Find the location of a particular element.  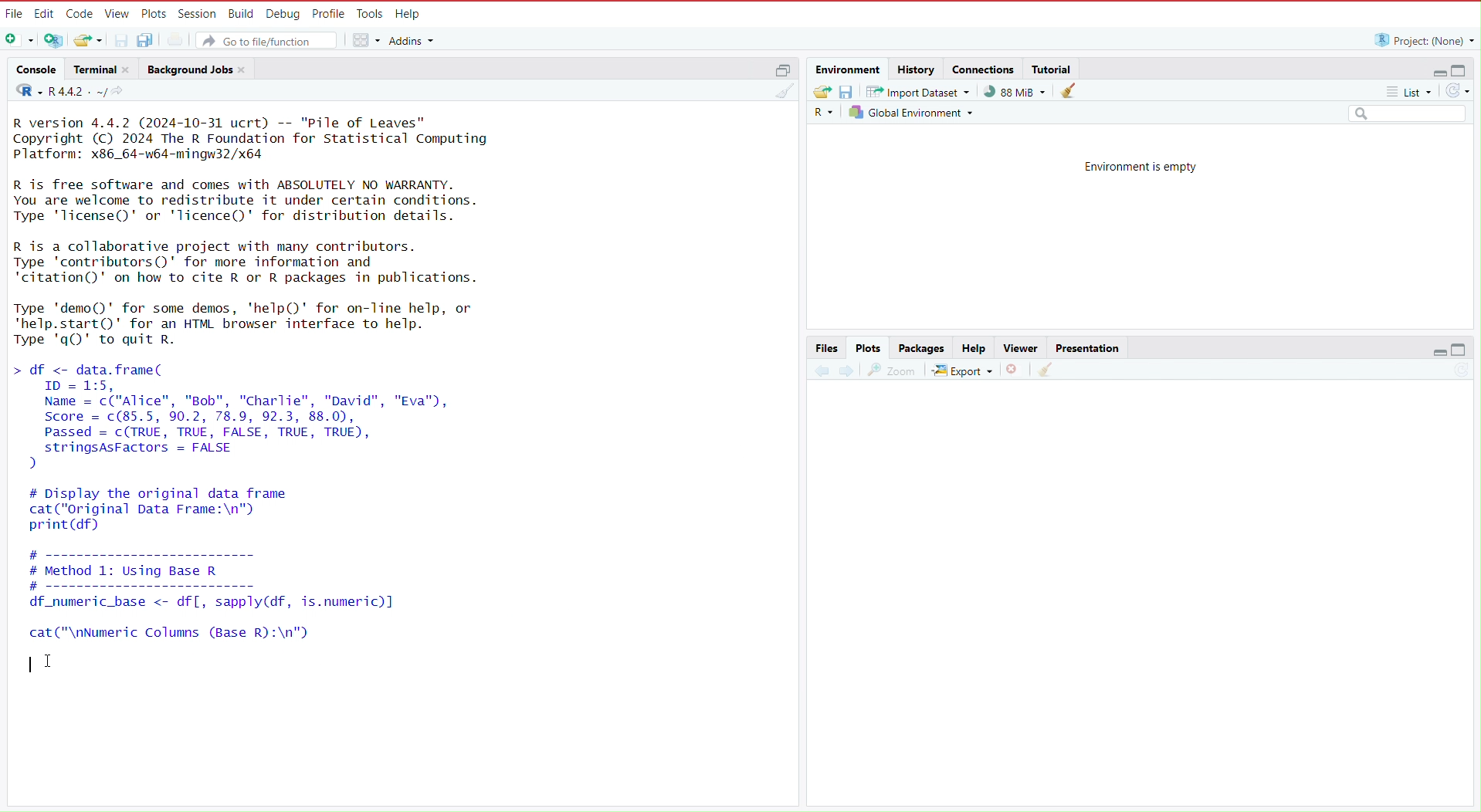

clear objects from the workspace is located at coordinates (1068, 91).